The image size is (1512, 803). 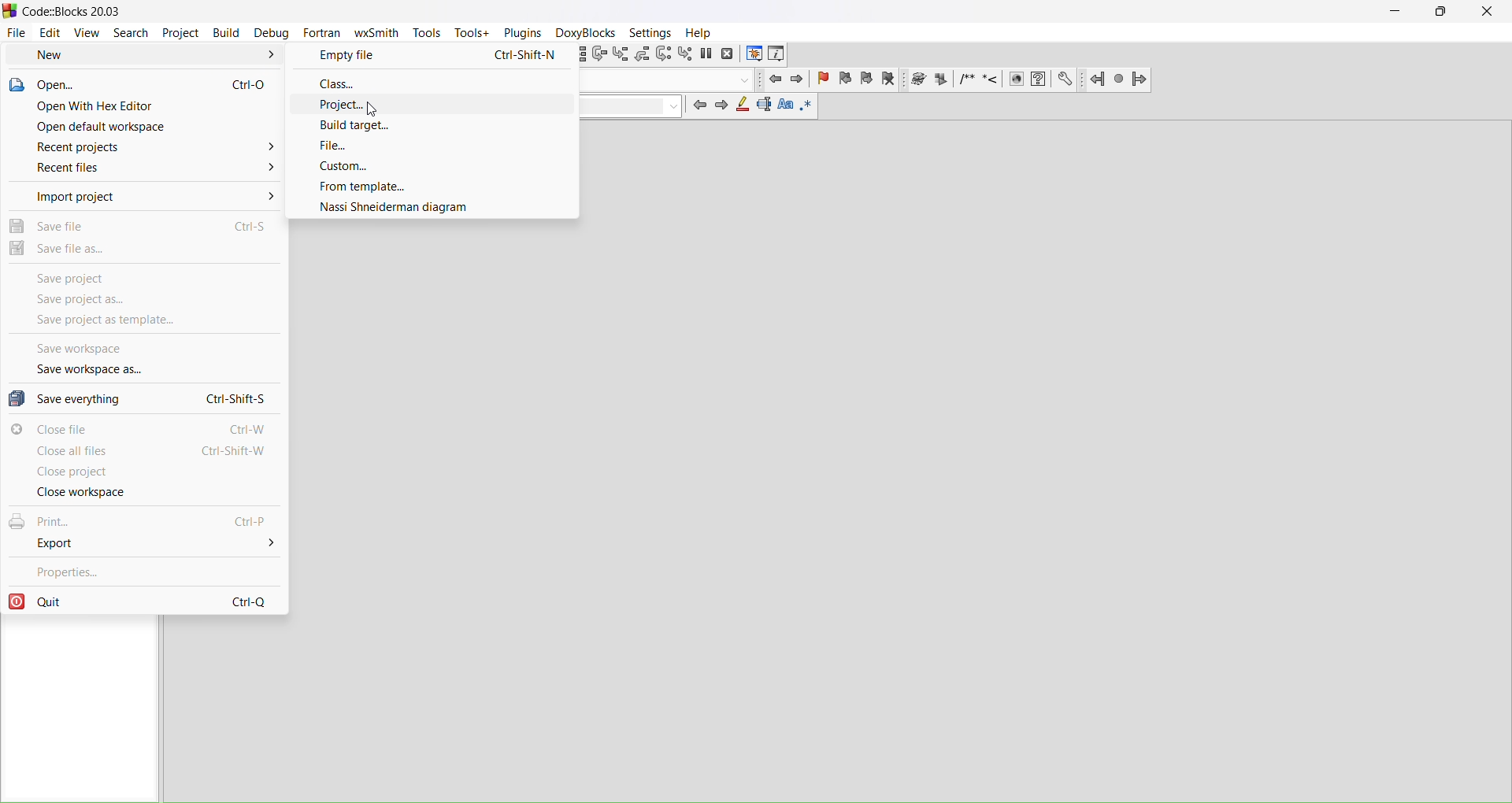 I want to click on Jump back, so click(x=1097, y=78).